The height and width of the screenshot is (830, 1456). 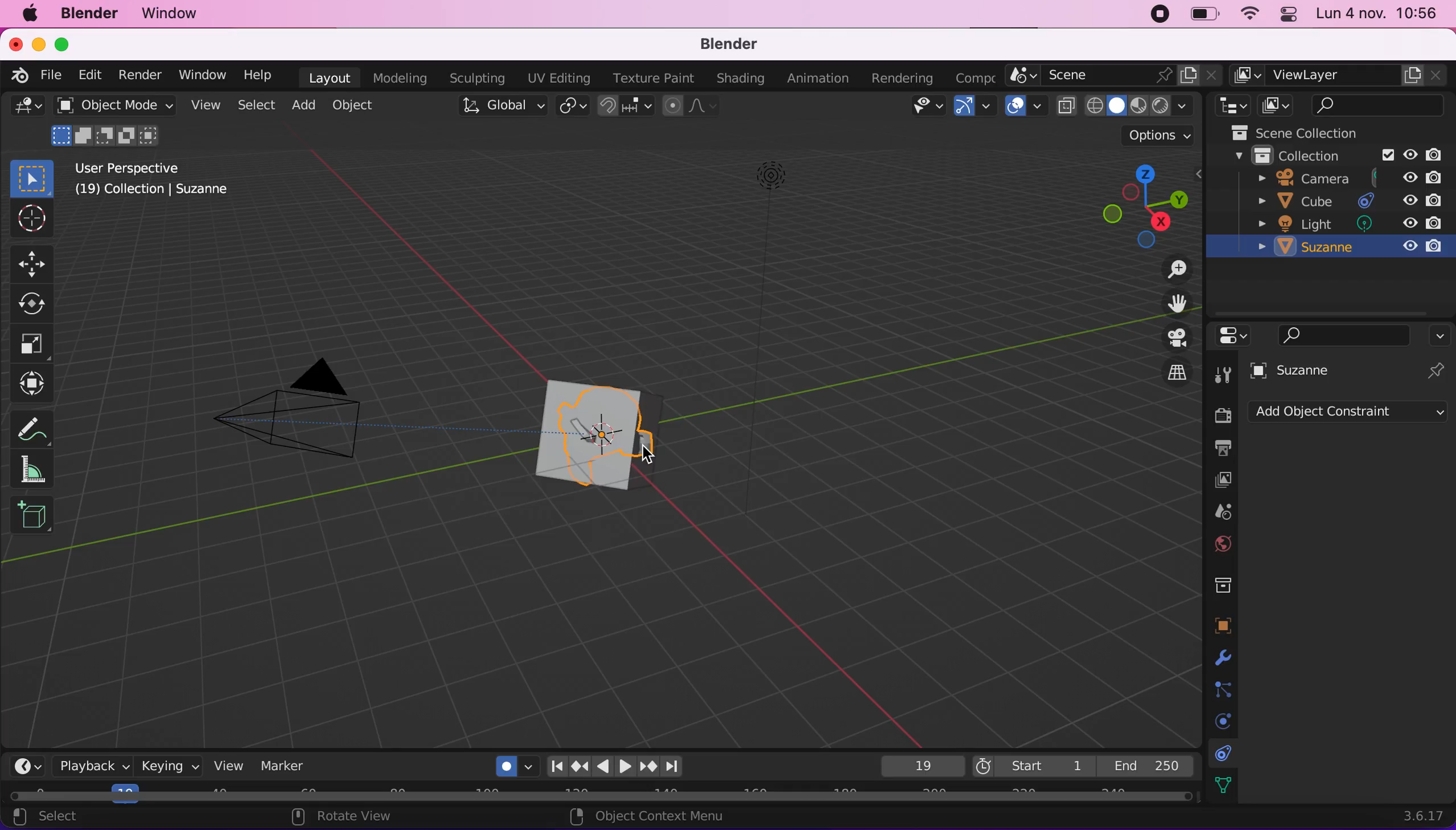 I want to click on view, so click(x=230, y=766).